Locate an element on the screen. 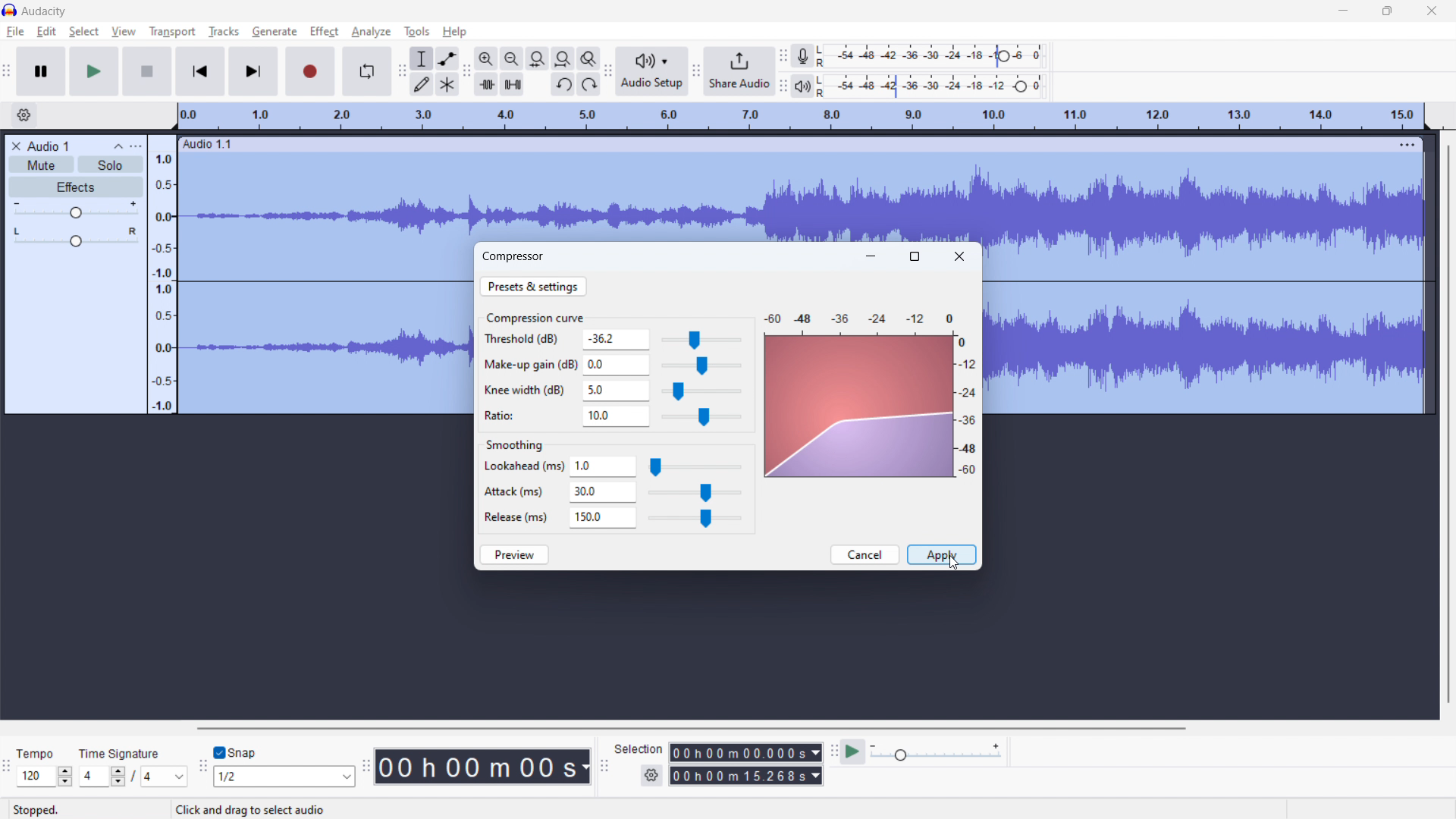  ratio slider is located at coordinates (701, 418).